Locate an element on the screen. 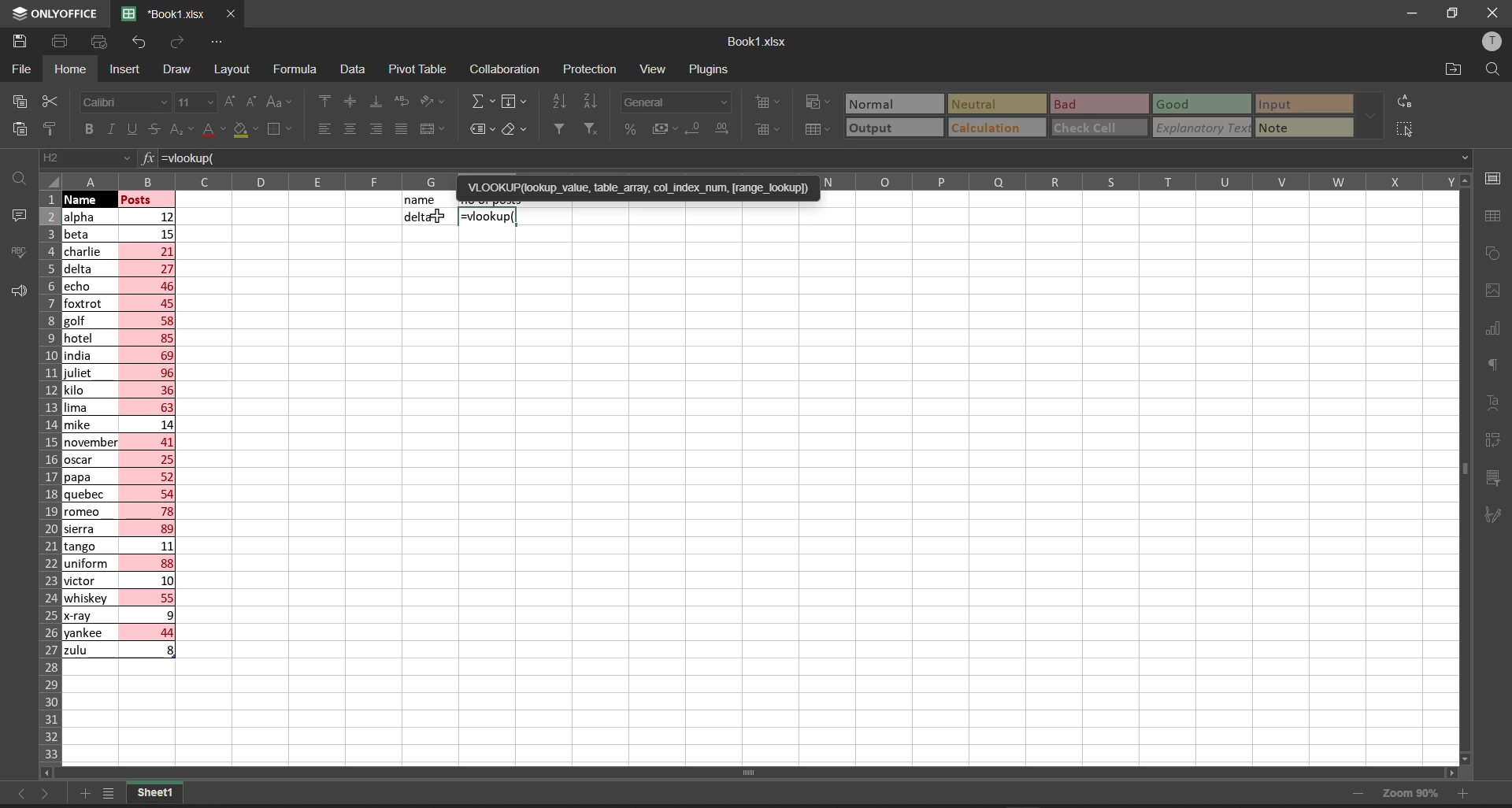 The image size is (1512, 808). find is located at coordinates (1495, 69).